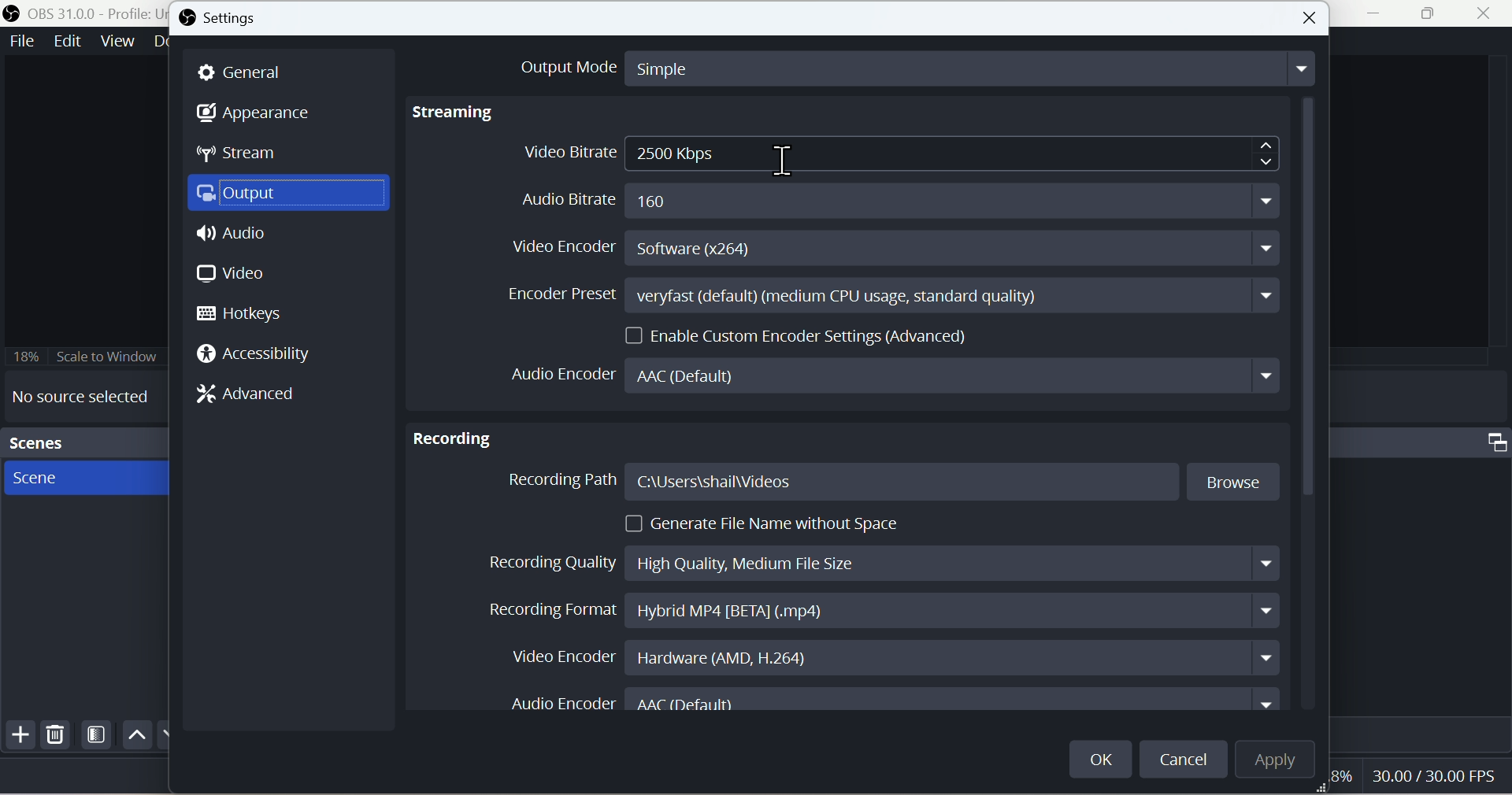  What do you see at coordinates (894, 483) in the screenshot?
I see `Recording Path` at bounding box center [894, 483].